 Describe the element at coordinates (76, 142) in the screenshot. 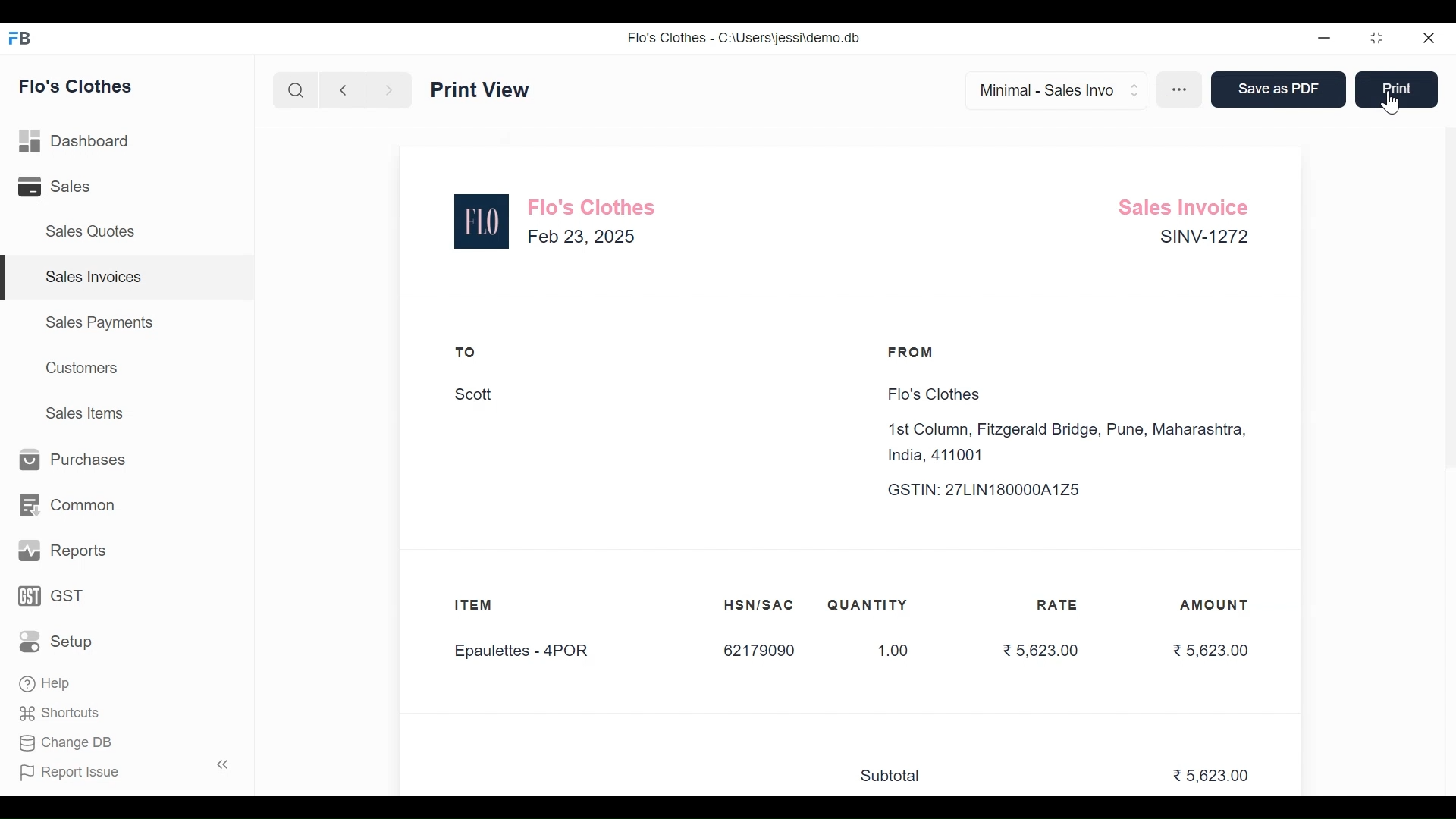

I see `Dashboard` at that location.